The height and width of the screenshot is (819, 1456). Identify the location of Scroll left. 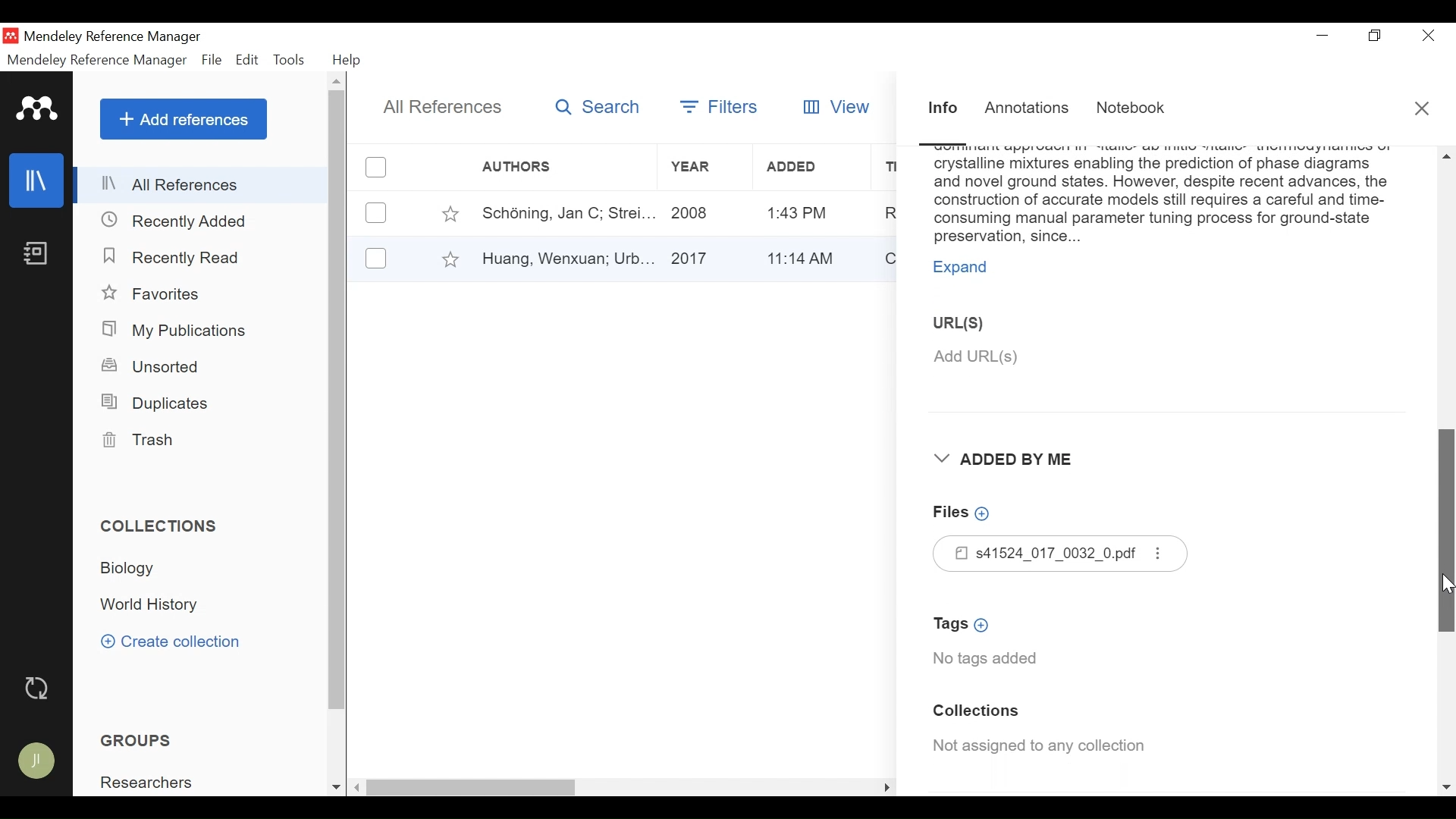
(358, 787).